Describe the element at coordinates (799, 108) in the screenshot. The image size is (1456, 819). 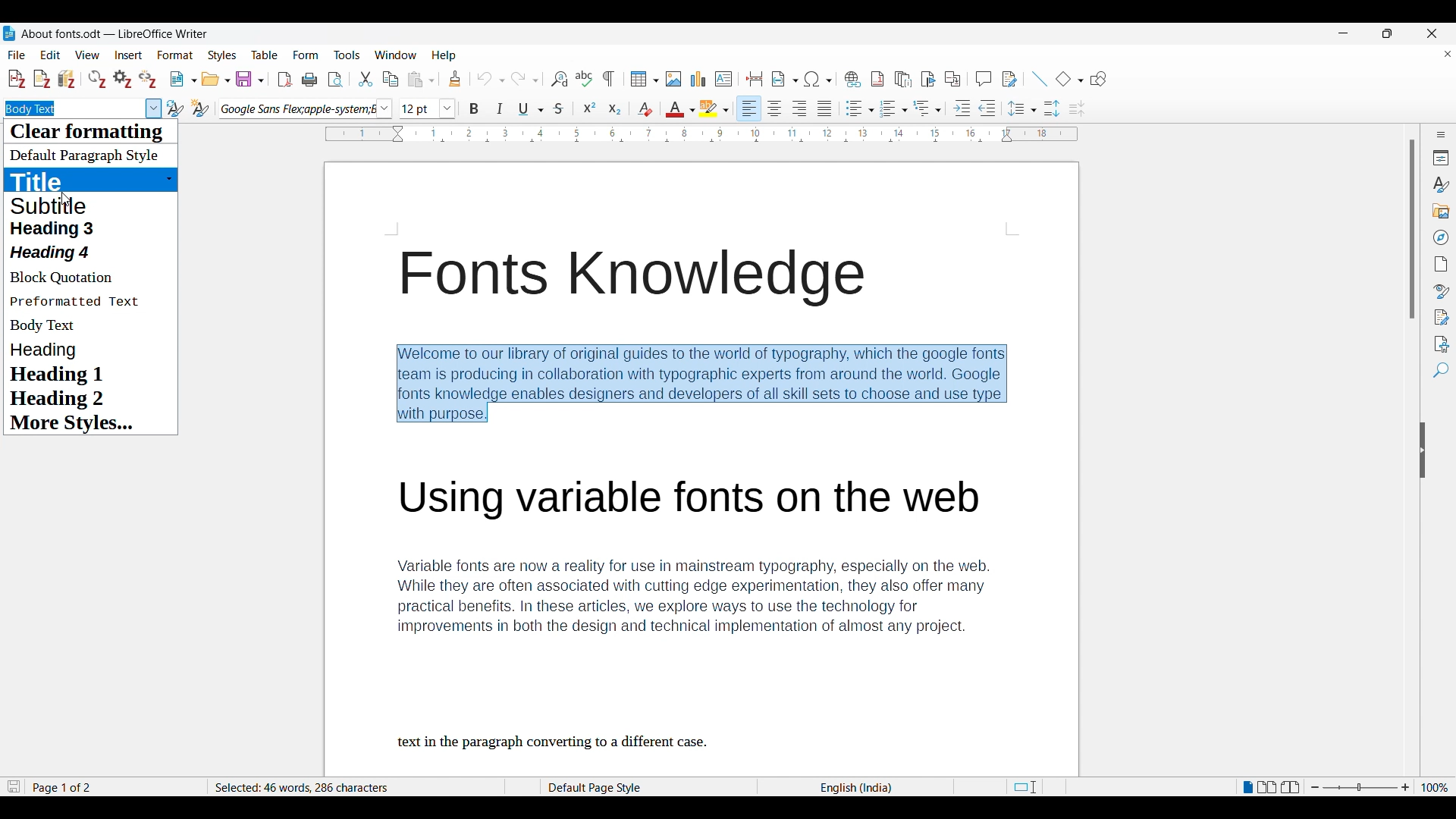
I see `Right alignment` at that location.